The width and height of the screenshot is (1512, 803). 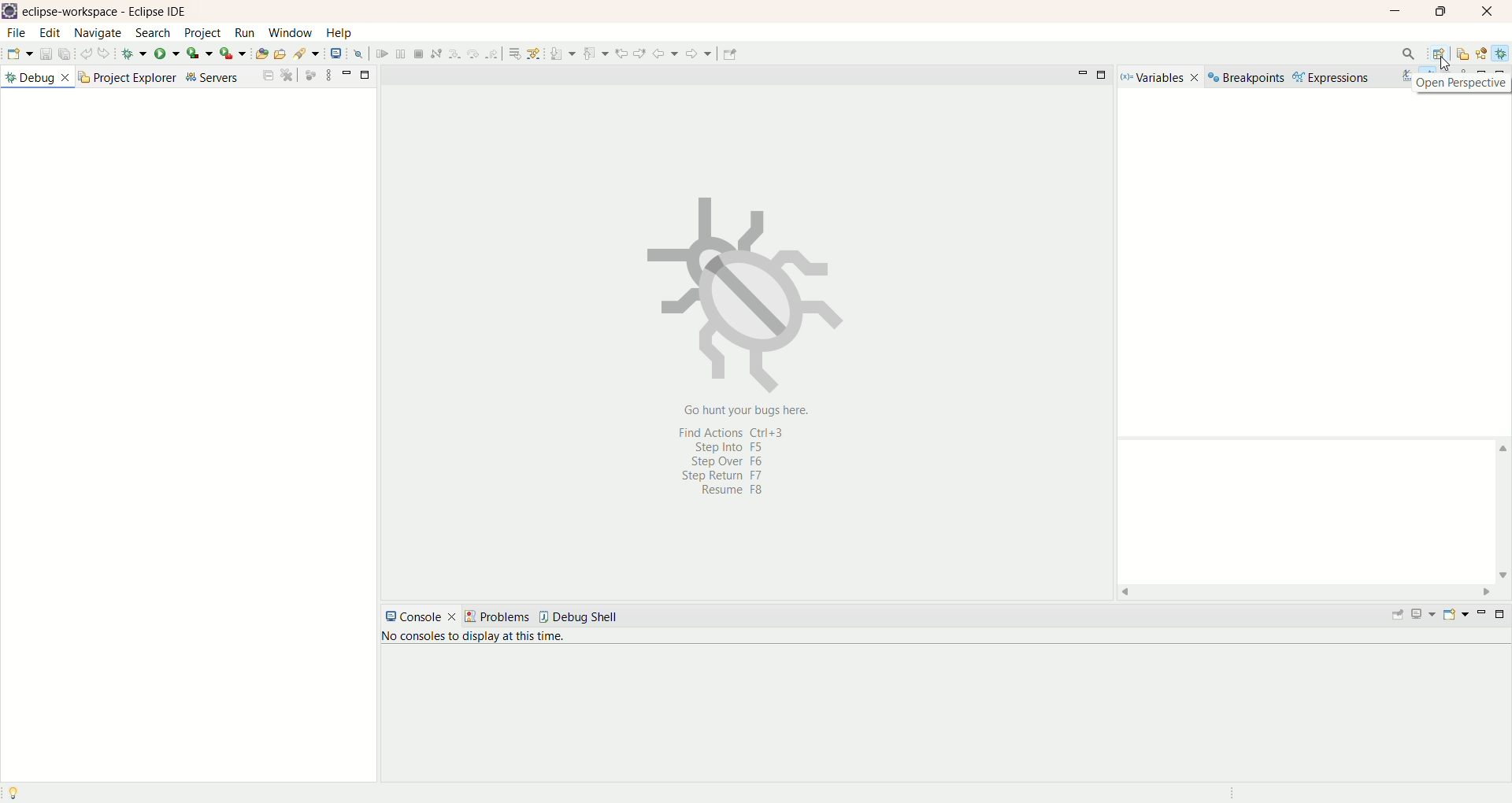 What do you see at coordinates (705, 53) in the screenshot?
I see `previous annotation` at bounding box center [705, 53].